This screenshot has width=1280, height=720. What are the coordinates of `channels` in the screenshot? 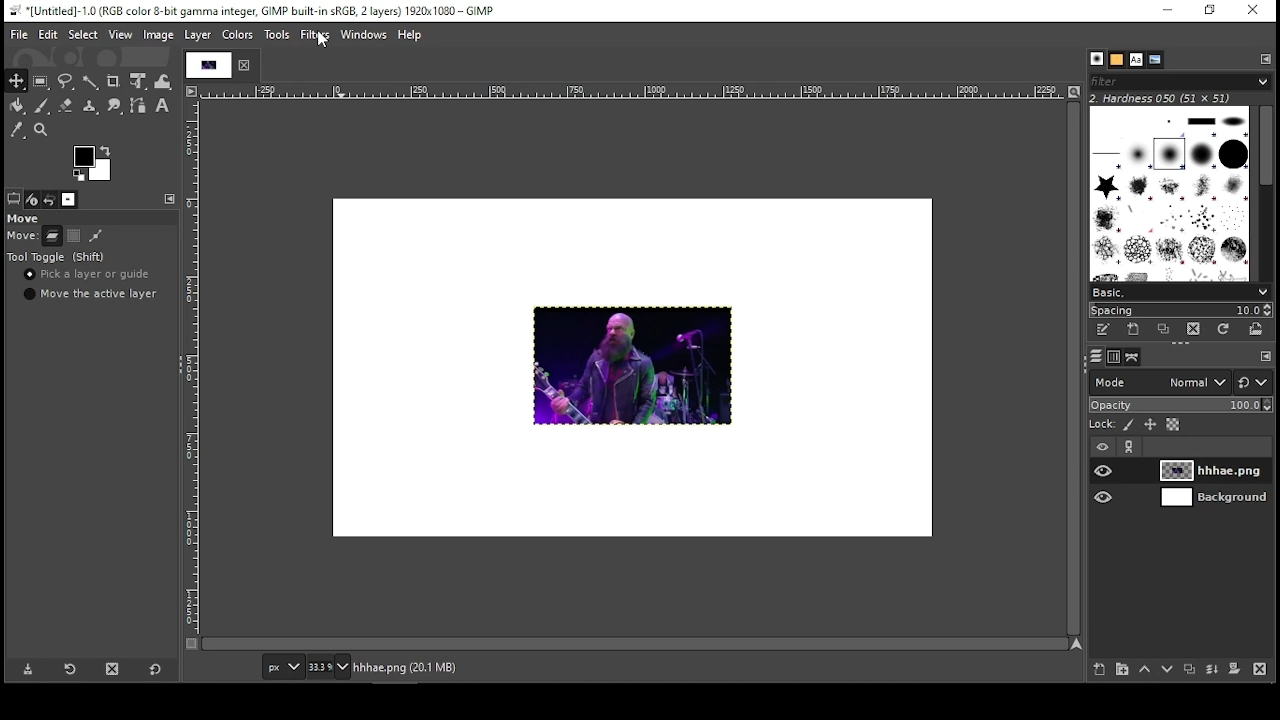 It's located at (1114, 357).